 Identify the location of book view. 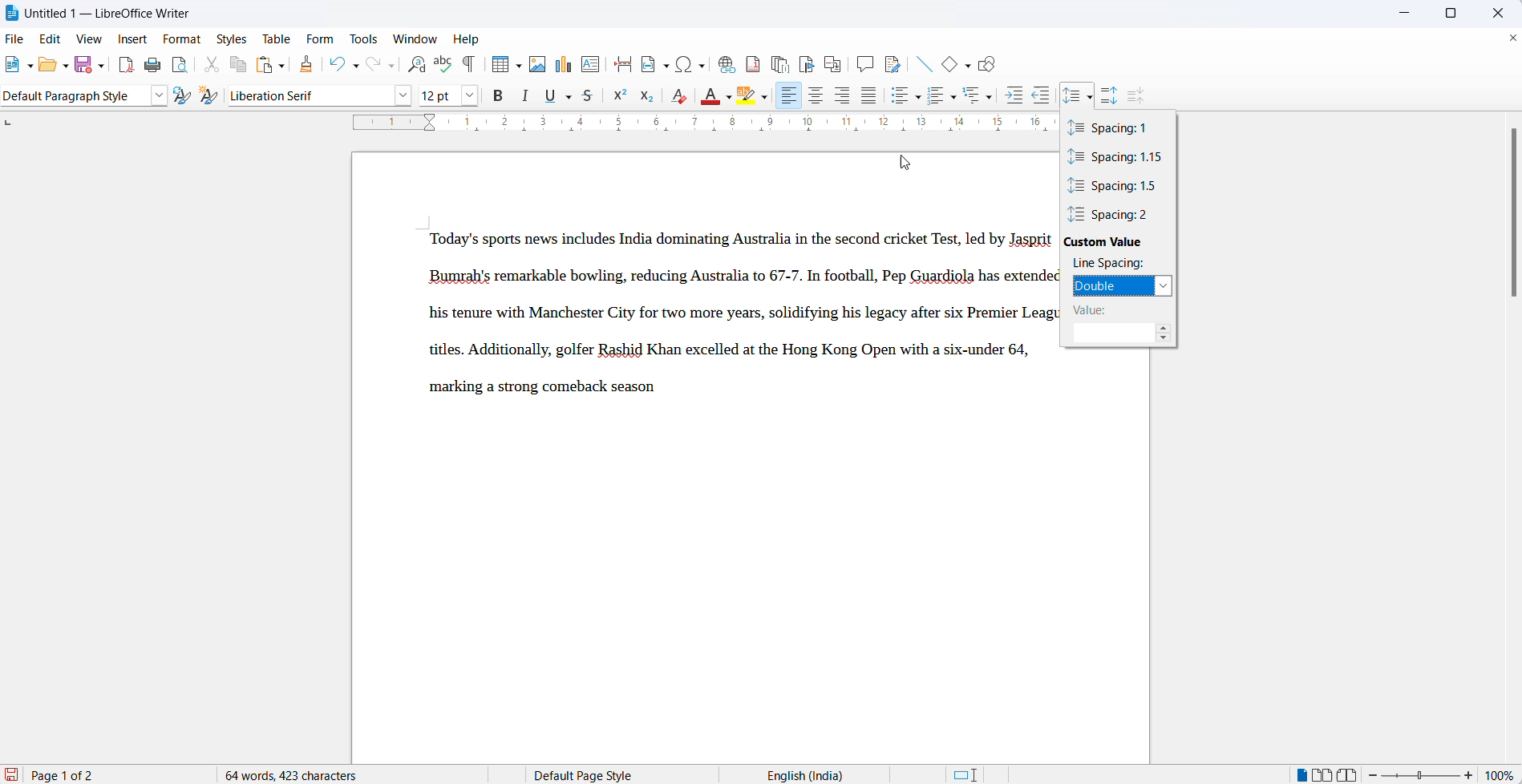
(1350, 773).